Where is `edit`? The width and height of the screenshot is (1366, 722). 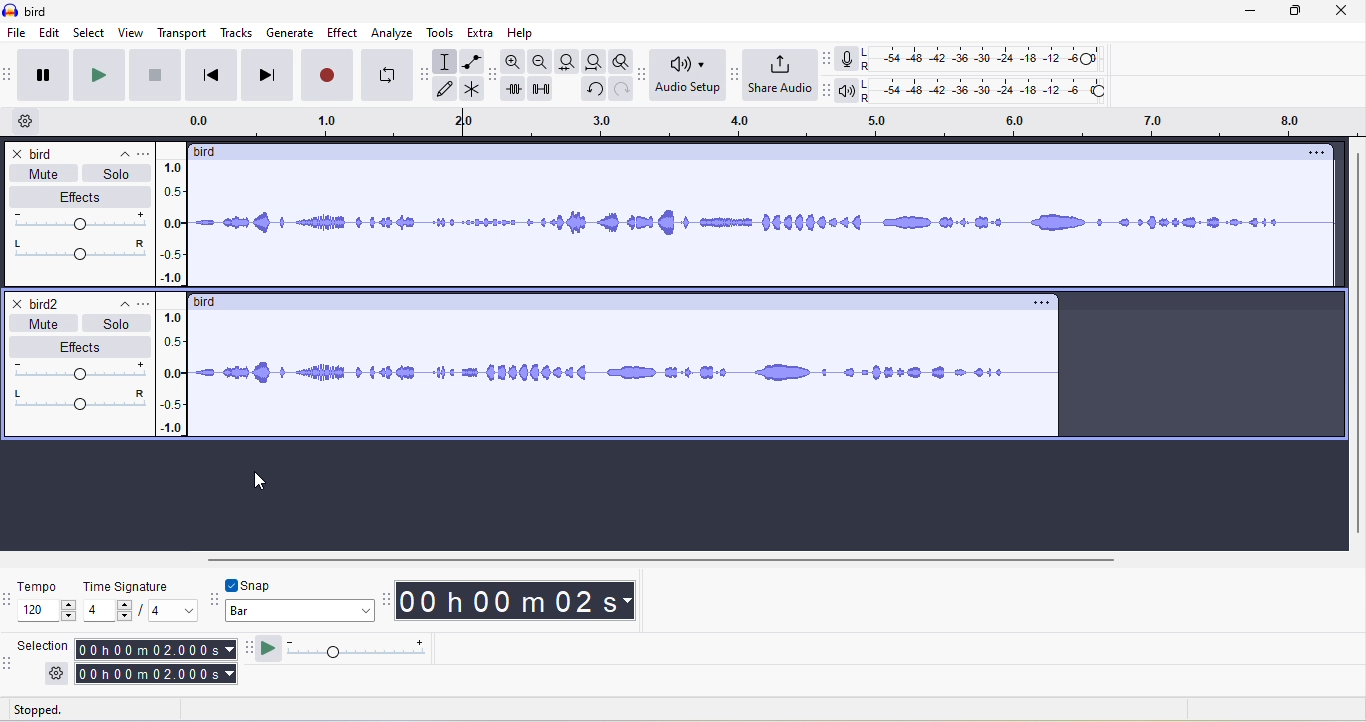 edit is located at coordinates (51, 34).